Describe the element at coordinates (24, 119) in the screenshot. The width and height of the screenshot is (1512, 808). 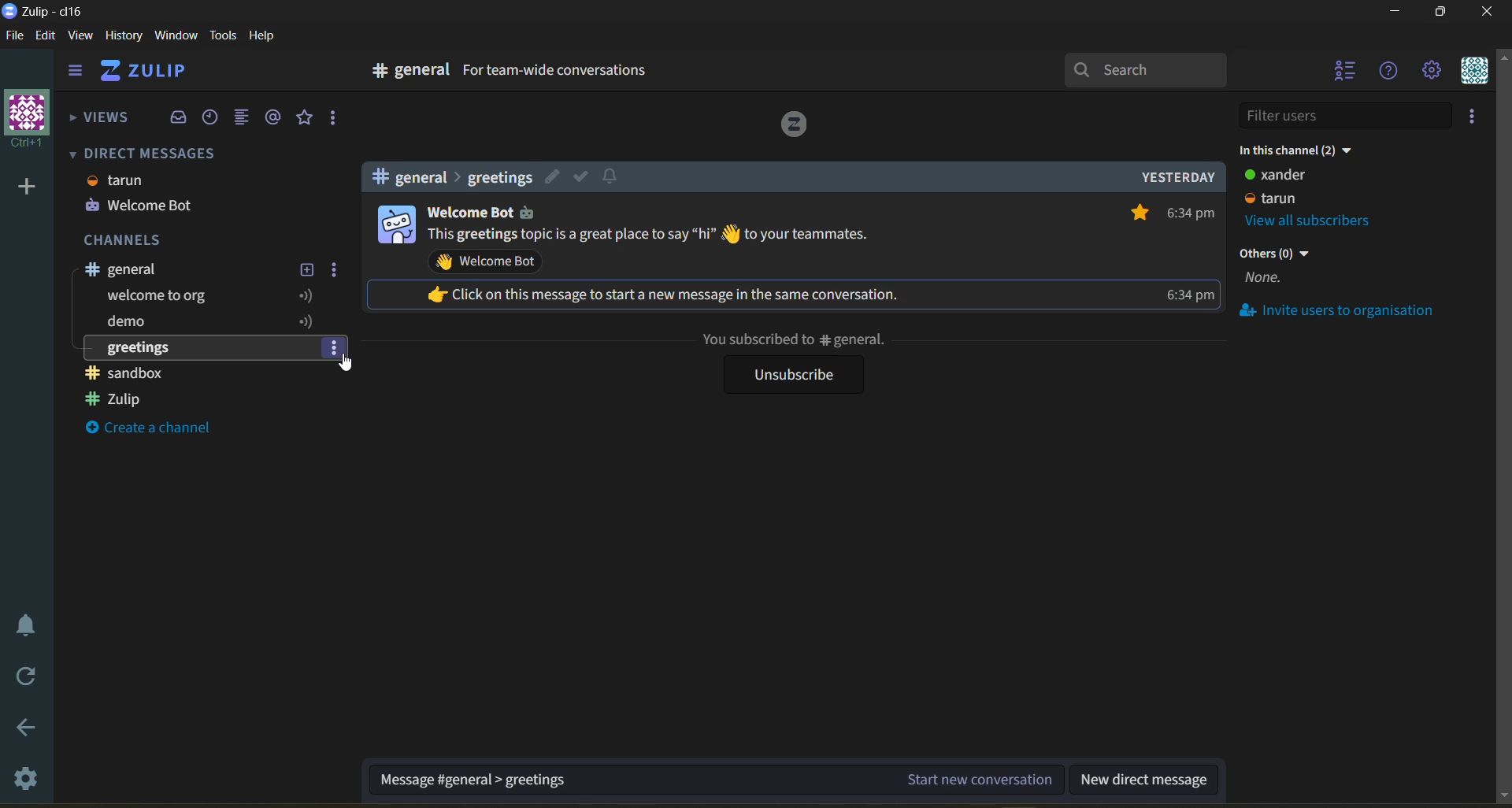
I see `organisation name and profile pic` at that location.